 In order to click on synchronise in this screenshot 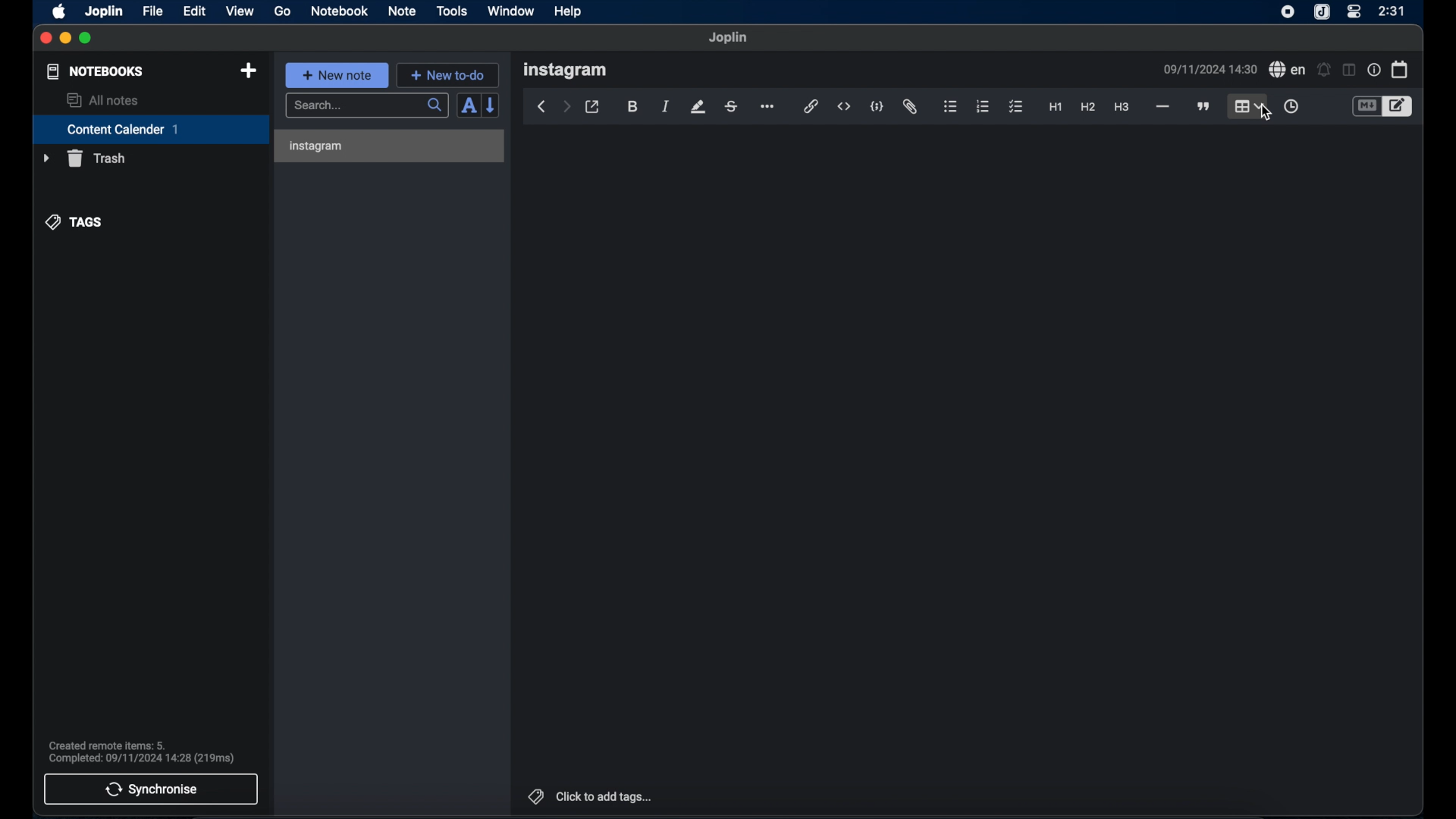, I will do `click(151, 789)`.